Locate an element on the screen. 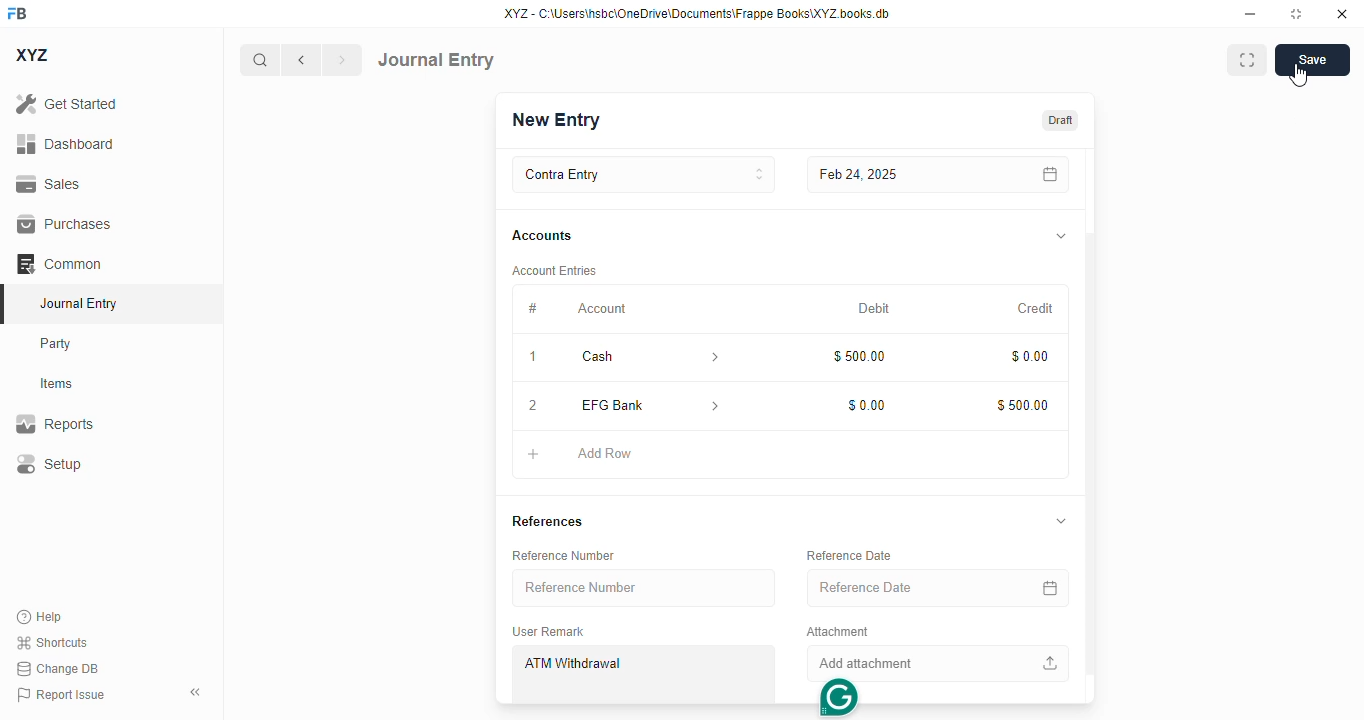  change DB is located at coordinates (57, 668).